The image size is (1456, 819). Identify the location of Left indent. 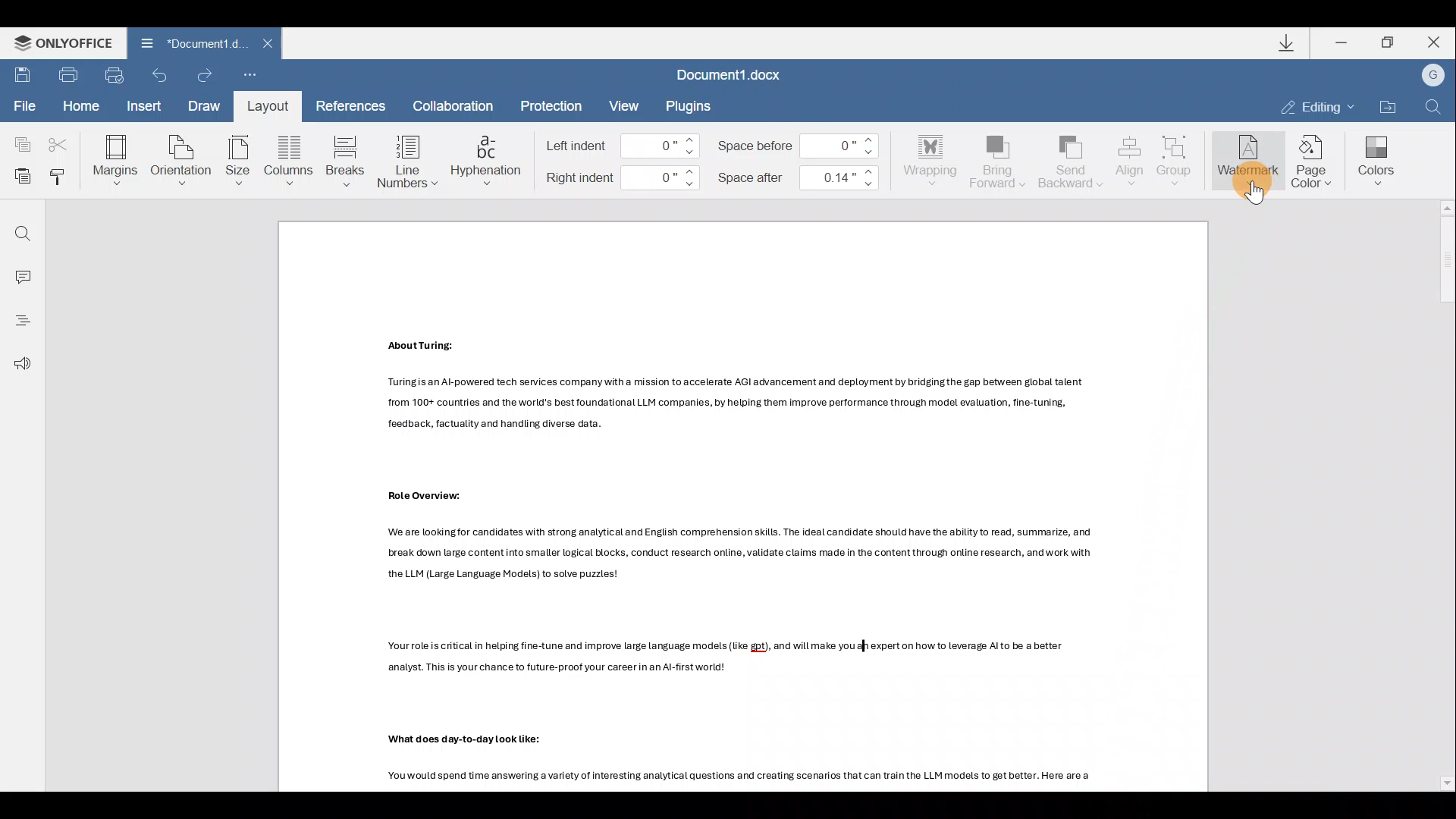
(617, 145).